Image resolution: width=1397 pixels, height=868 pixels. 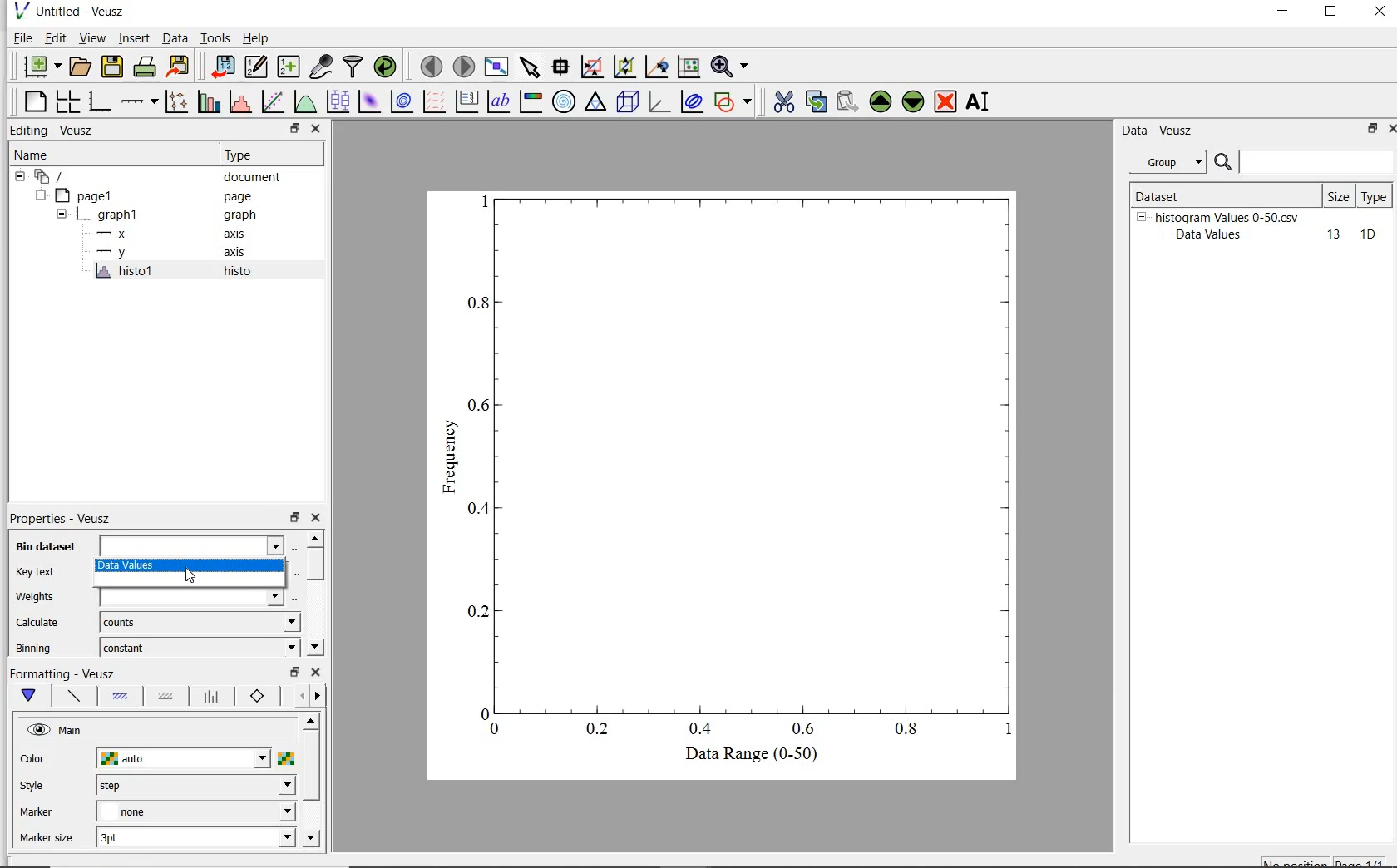 I want to click on name, so click(x=30, y=155).